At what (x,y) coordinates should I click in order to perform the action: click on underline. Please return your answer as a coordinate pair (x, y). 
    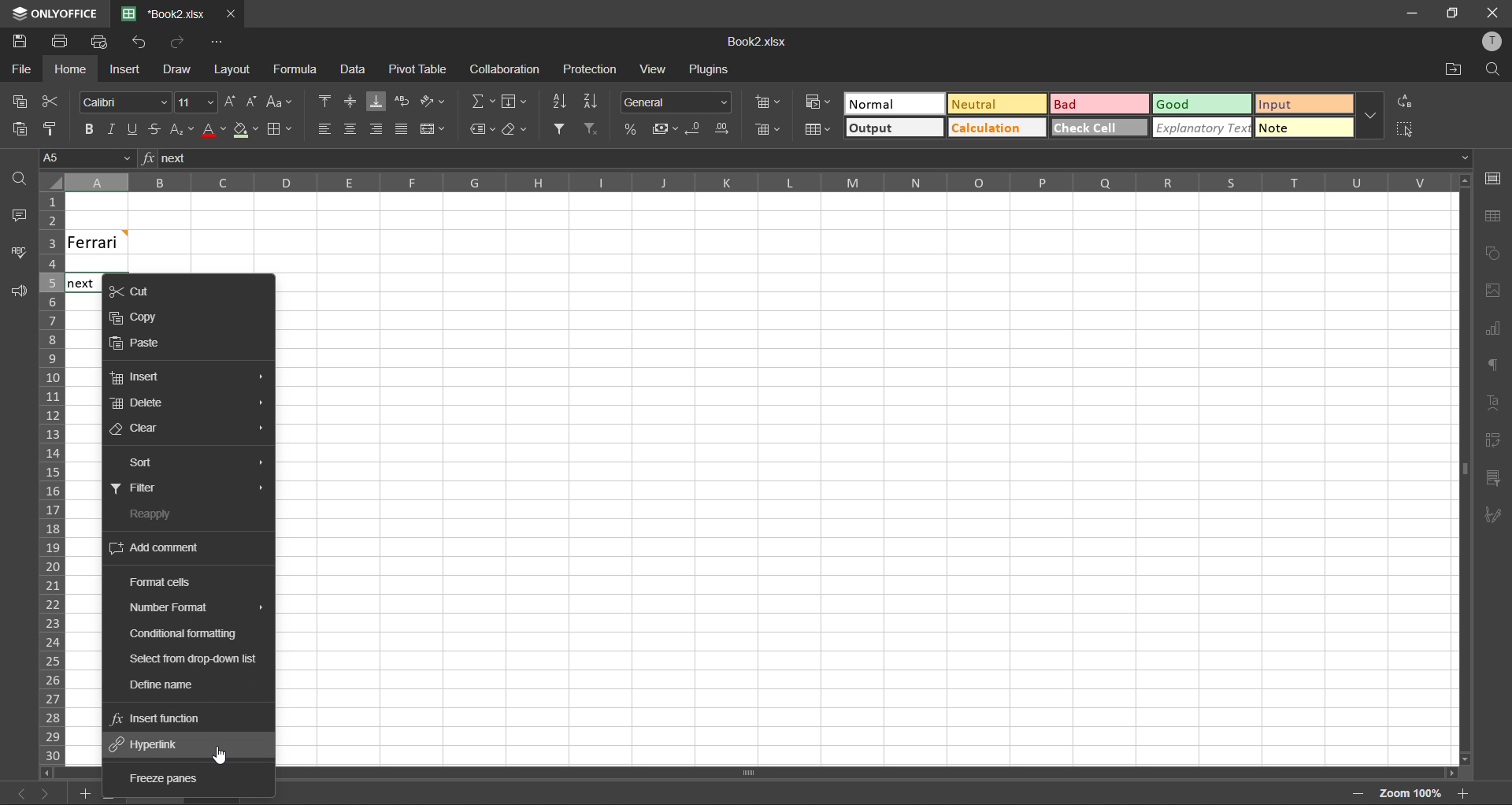
    Looking at the image, I should click on (132, 131).